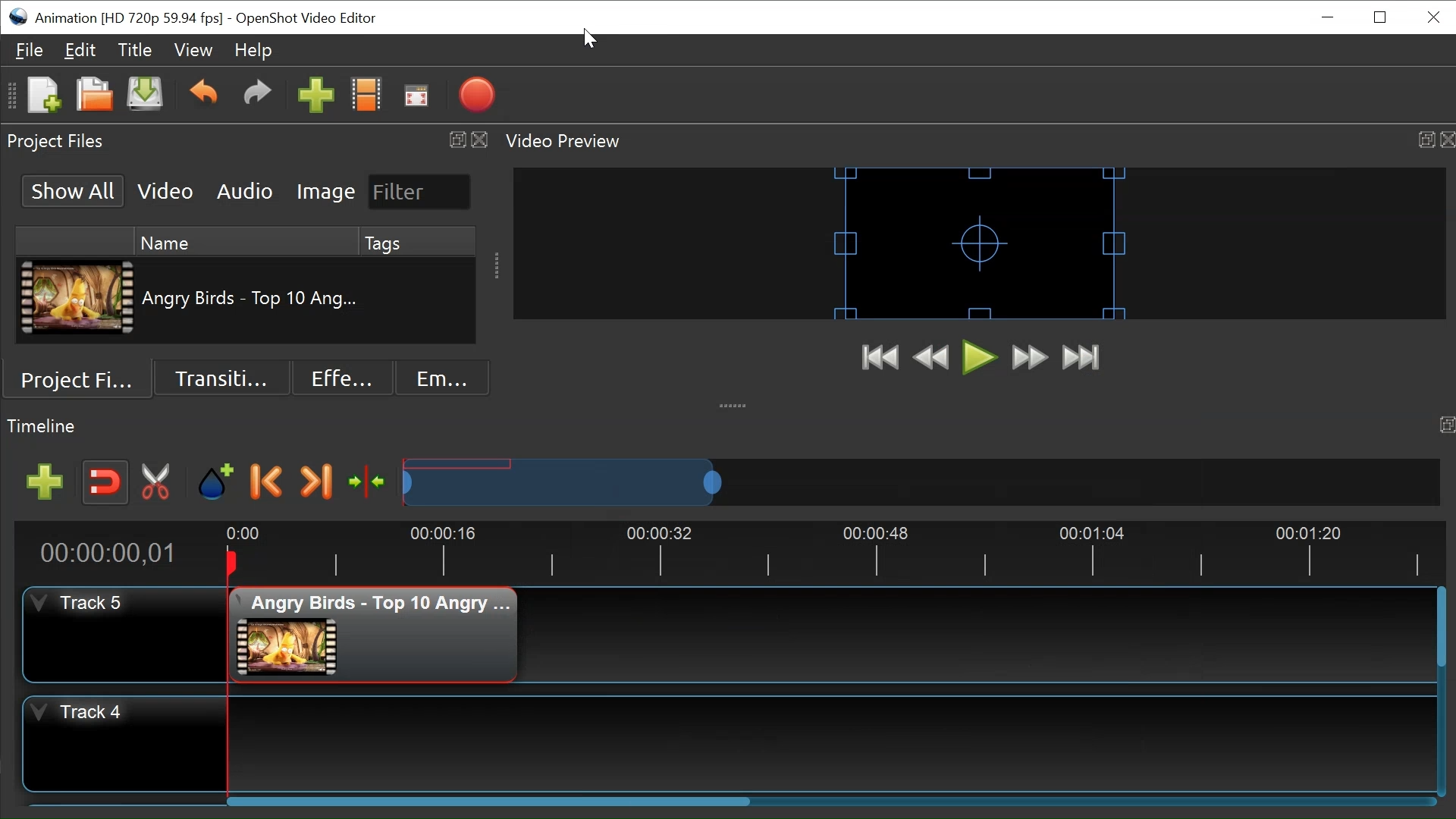  What do you see at coordinates (247, 142) in the screenshot?
I see `Project Files` at bounding box center [247, 142].